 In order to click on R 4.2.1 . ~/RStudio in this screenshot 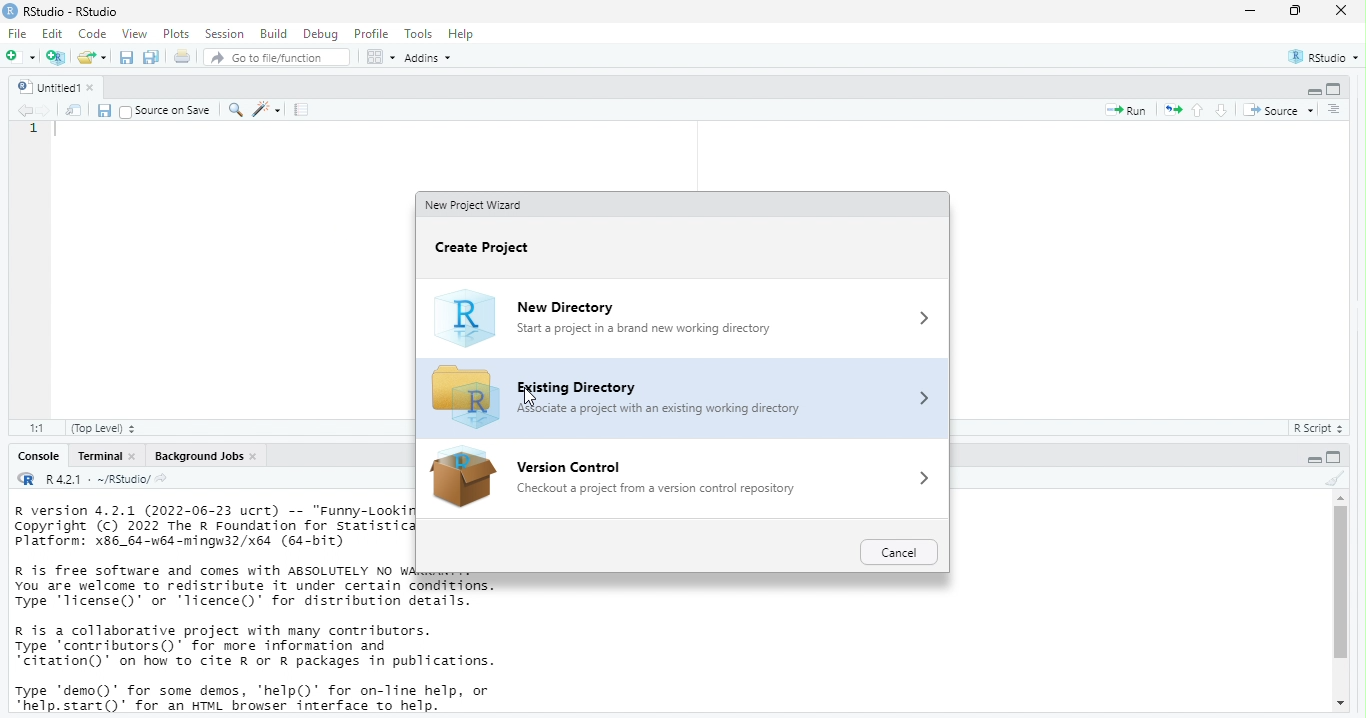, I will do `click(98, 480)`.